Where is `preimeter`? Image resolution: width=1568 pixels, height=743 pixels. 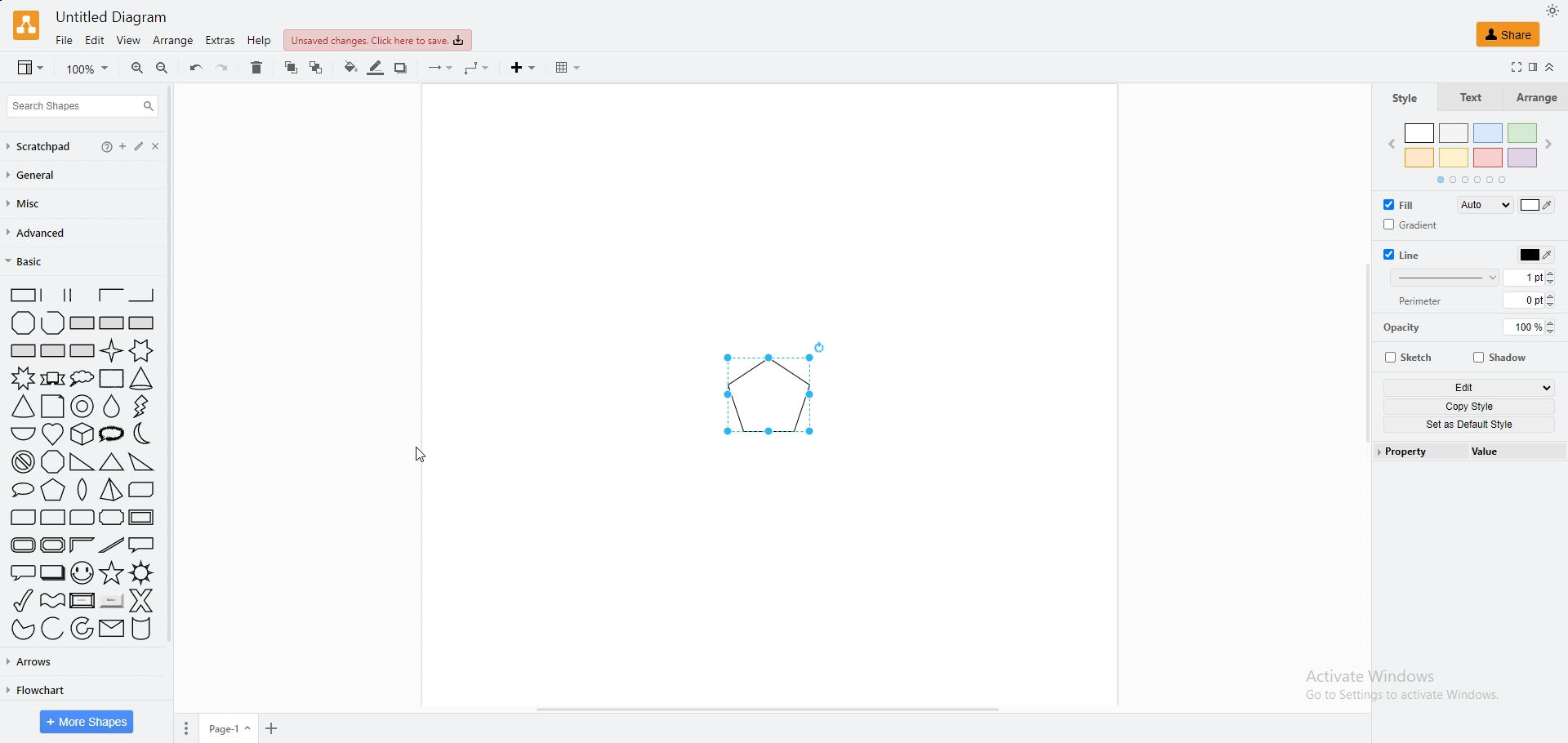
preimeter is located at coordinates (1424, 301).